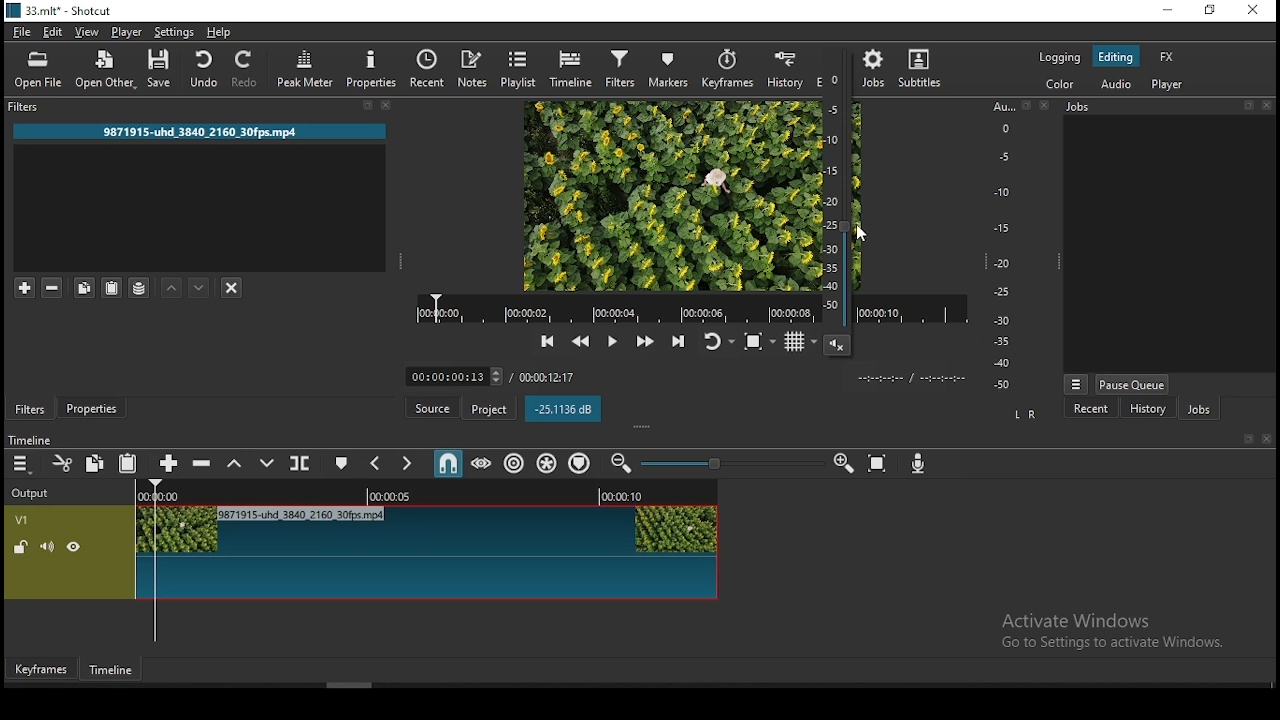 This screenshot has height=720, width=1280. Describe the element at coordinates (92, 408) in the screenshot. I see `properties` at that location.